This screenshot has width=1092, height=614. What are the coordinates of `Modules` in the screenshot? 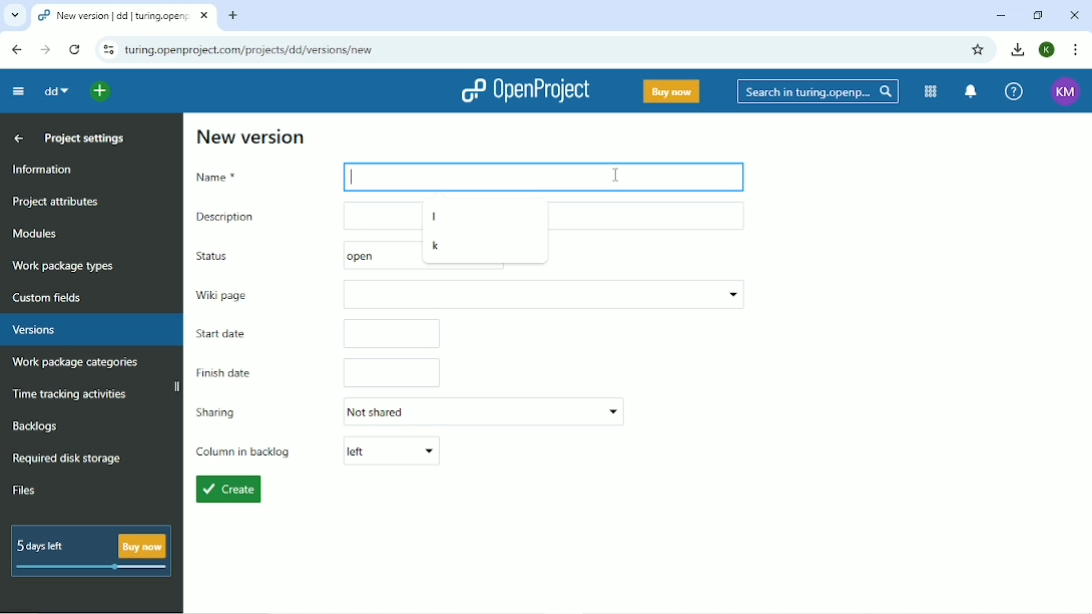 It's located at (36, 233).